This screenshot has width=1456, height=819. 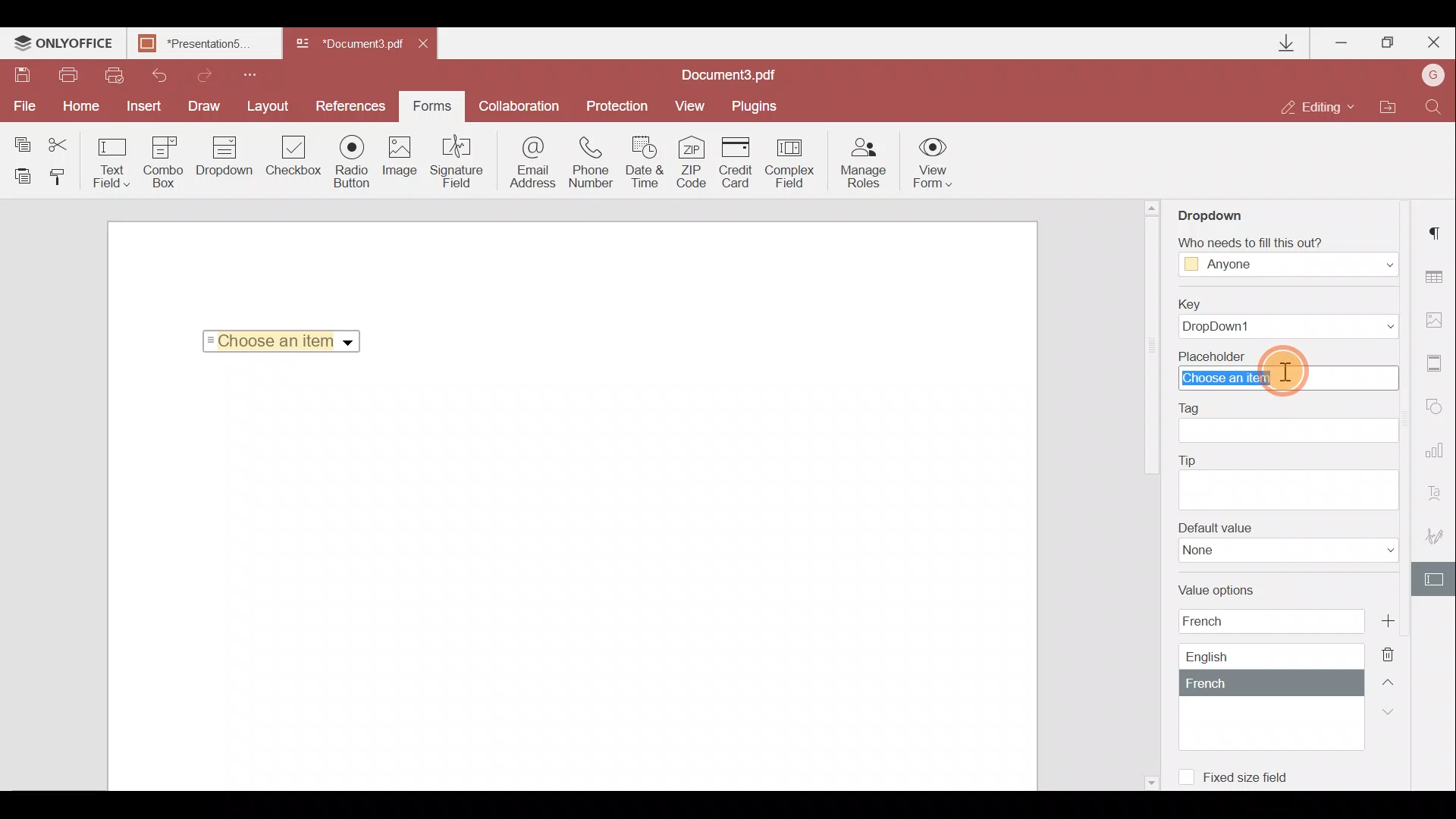 What do you see at coordinates (78, 106) in the screenshot?
I see `Home` at bounding box center [78, 106].